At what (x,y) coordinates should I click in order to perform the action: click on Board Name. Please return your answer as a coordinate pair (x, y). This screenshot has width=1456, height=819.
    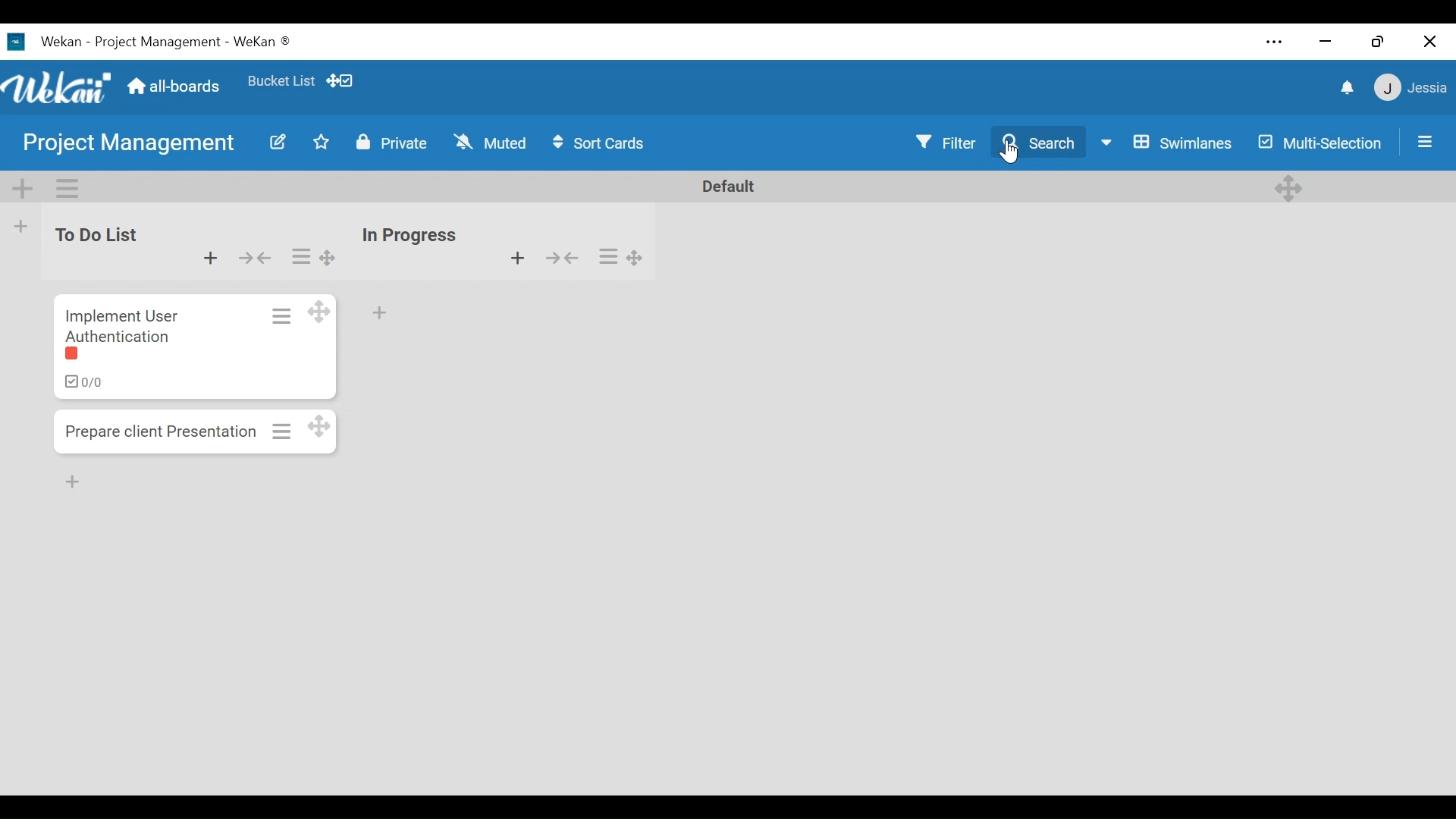
    Looking at the image, I should click on (127, 142).